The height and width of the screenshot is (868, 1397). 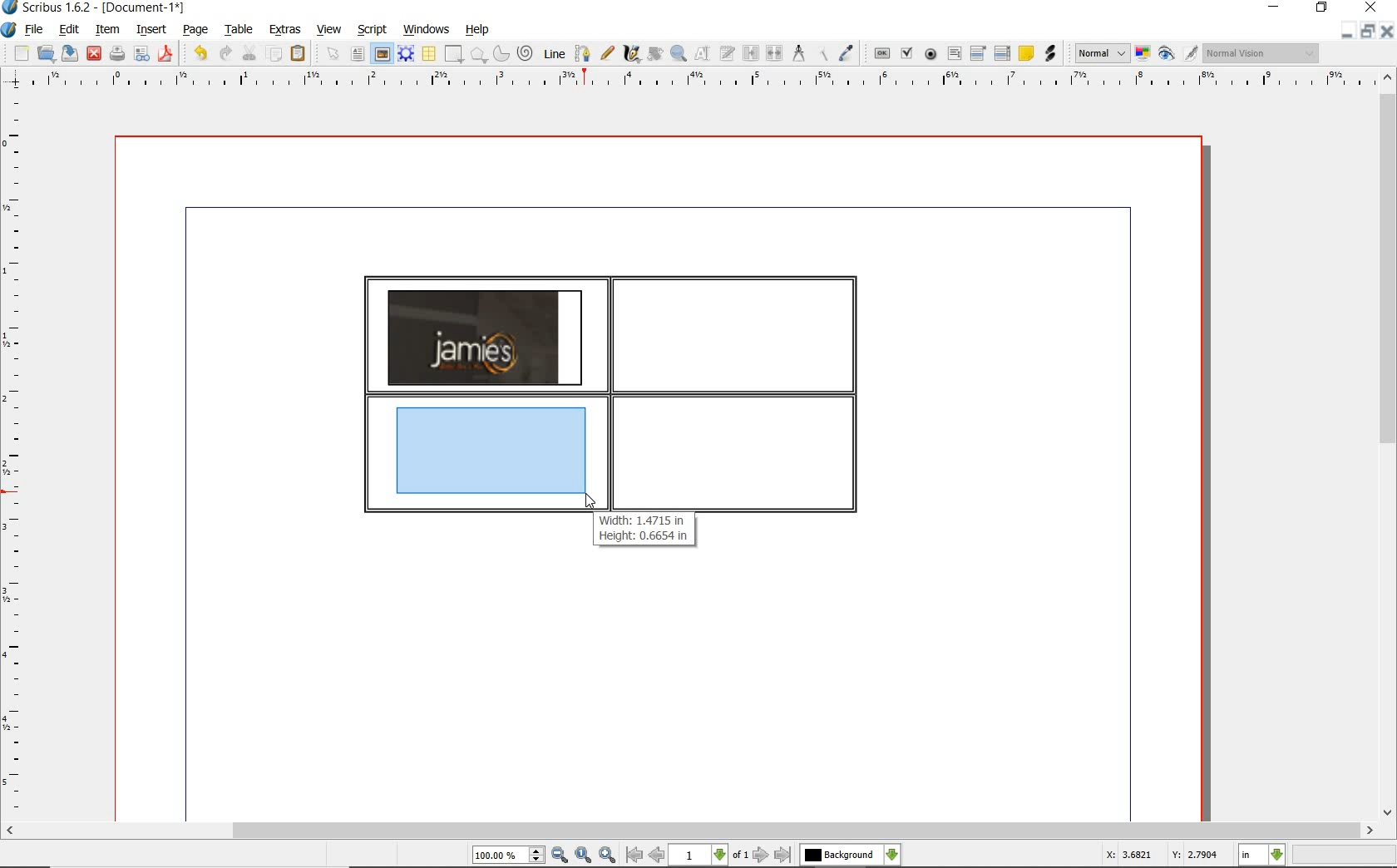 I want to click on ruler, so click(x=16, y=455).